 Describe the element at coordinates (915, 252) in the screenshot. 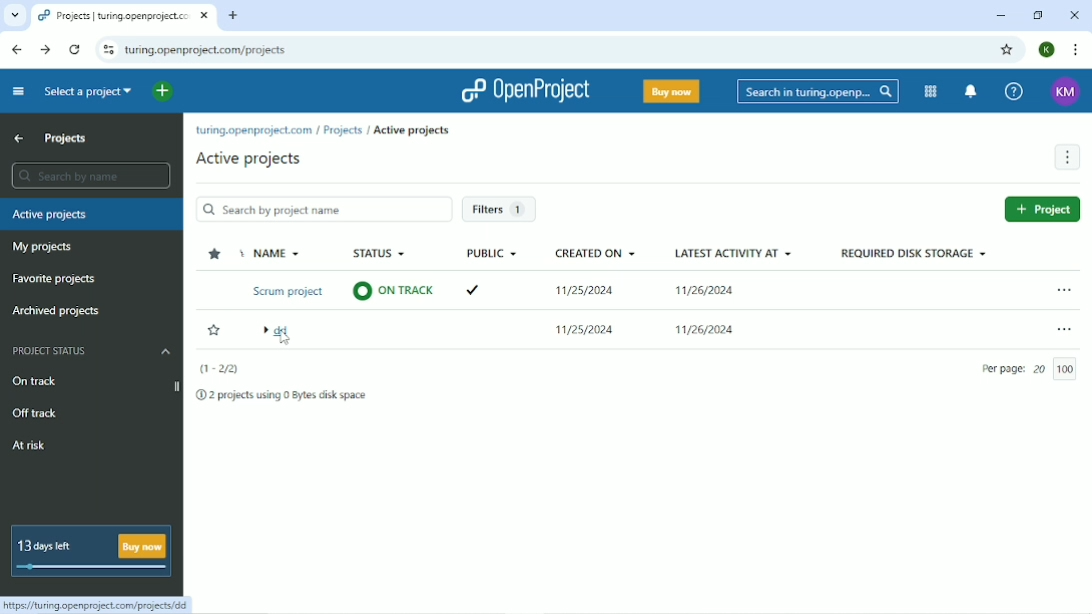

I see `Required disk storage` at that location.